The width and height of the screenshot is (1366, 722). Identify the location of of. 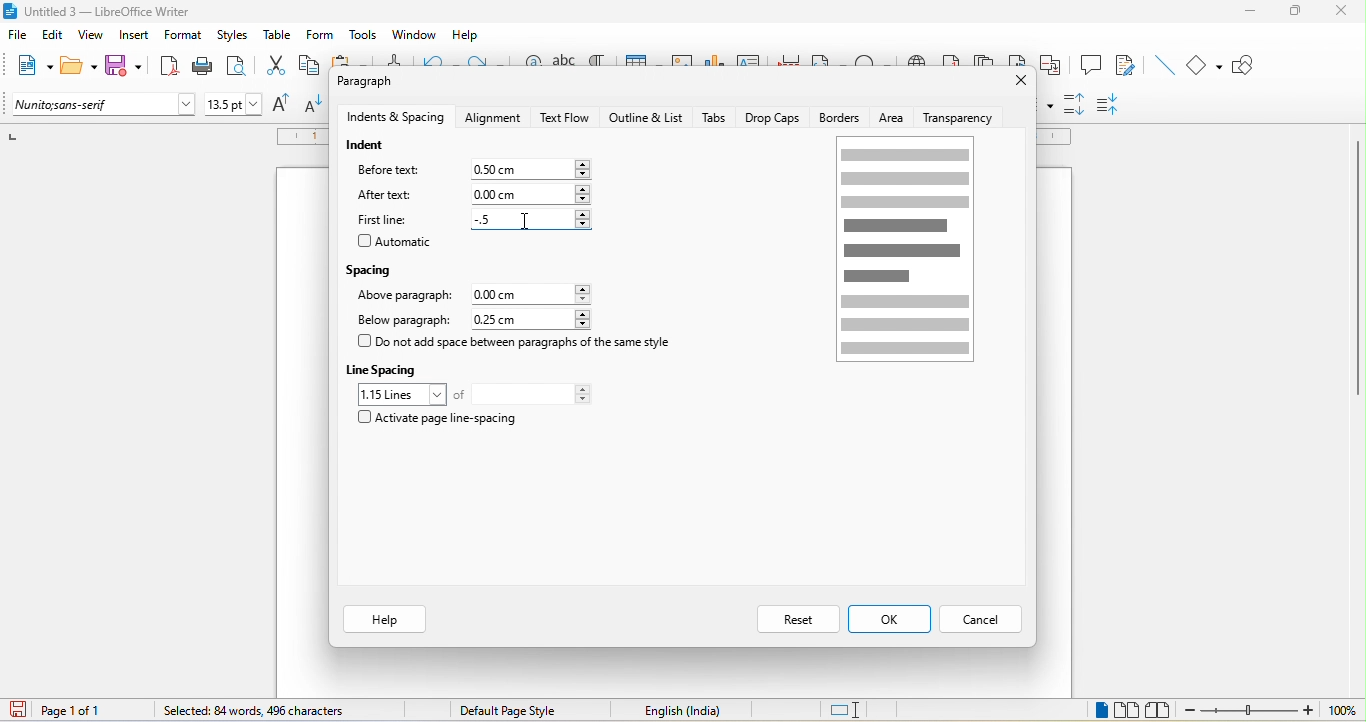
(459, 394).